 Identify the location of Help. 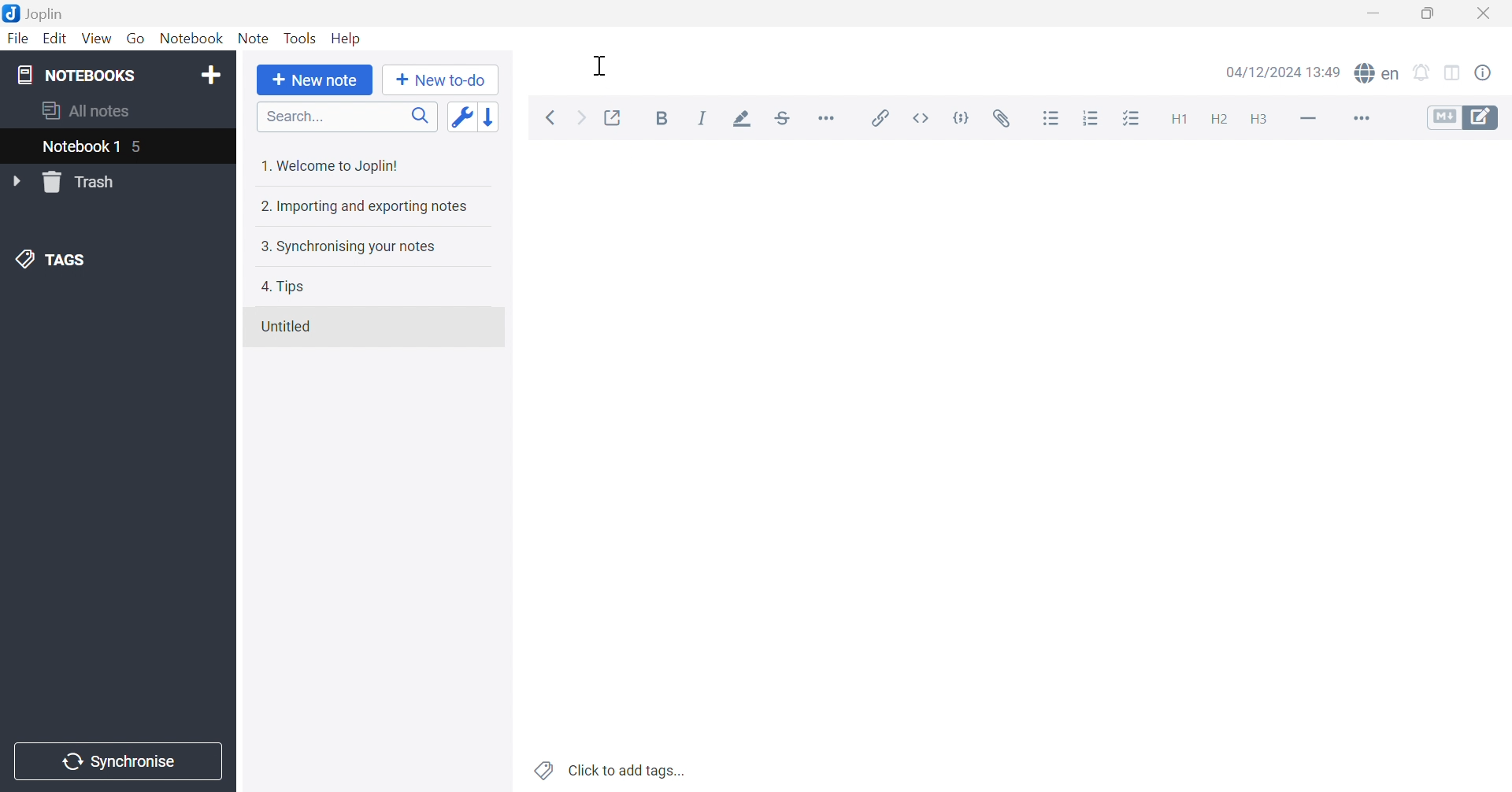
(350, 39).